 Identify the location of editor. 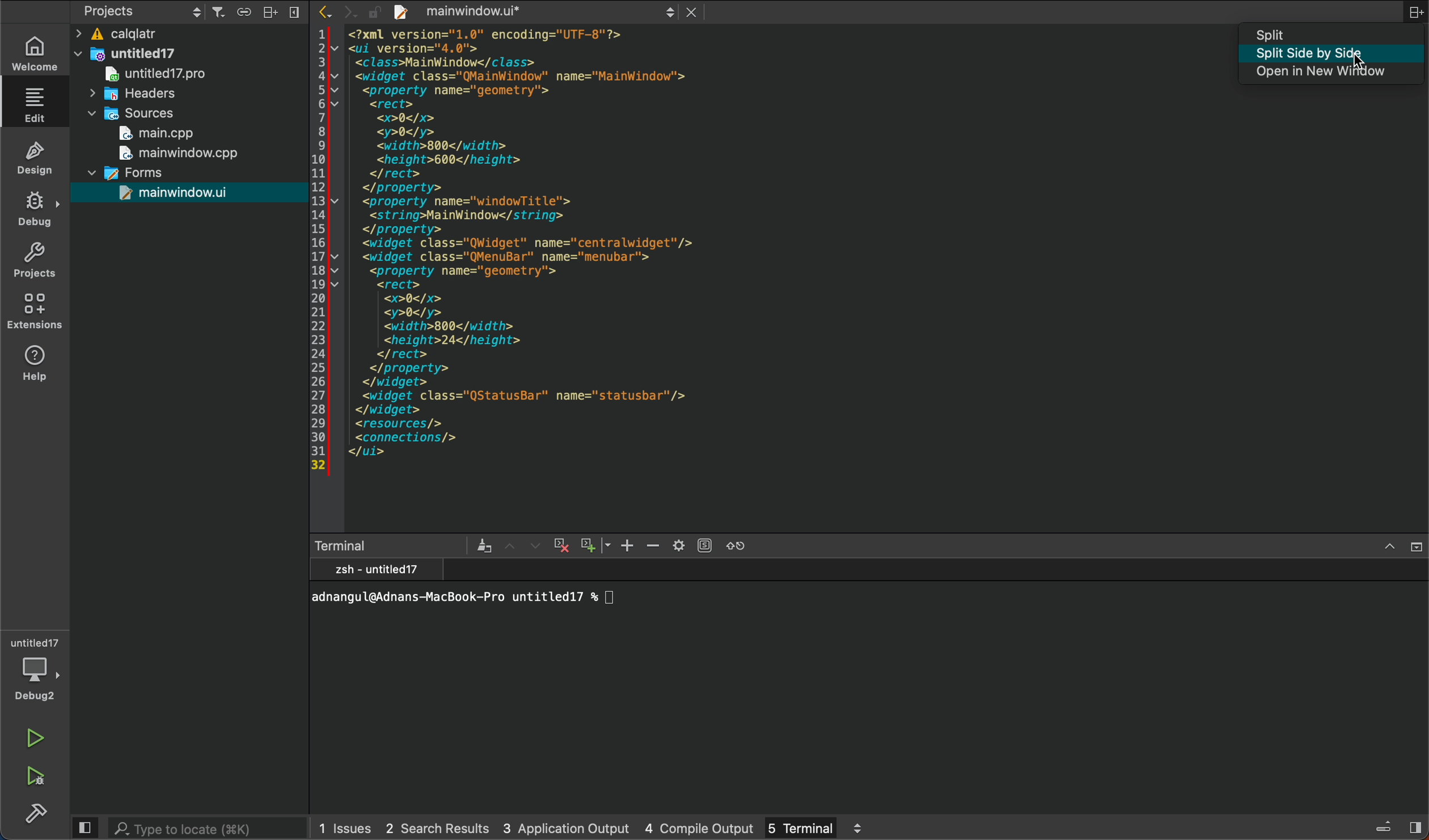
(38, 105).